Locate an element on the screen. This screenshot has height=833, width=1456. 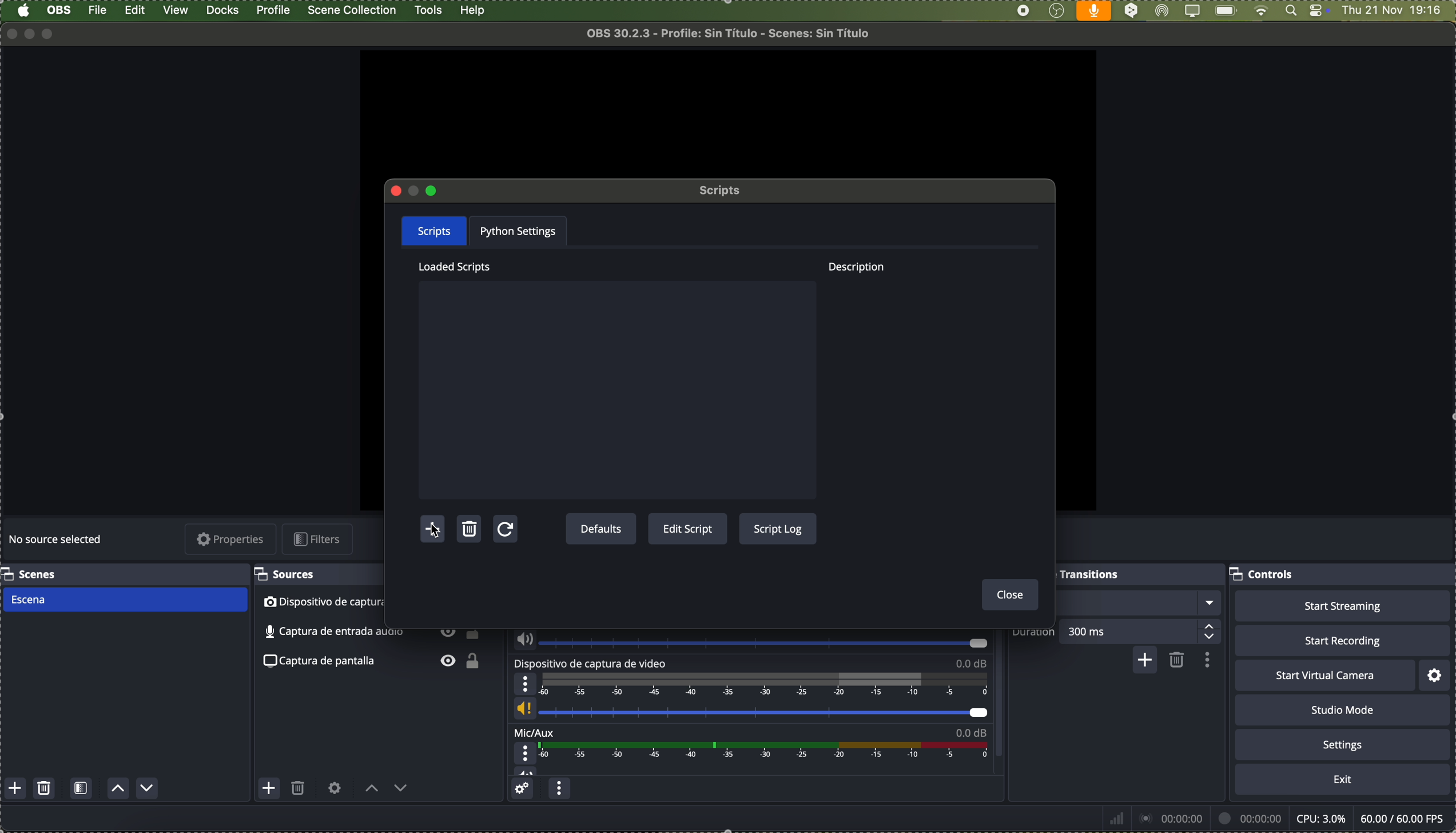
filters is located at coordinates (320, 539).